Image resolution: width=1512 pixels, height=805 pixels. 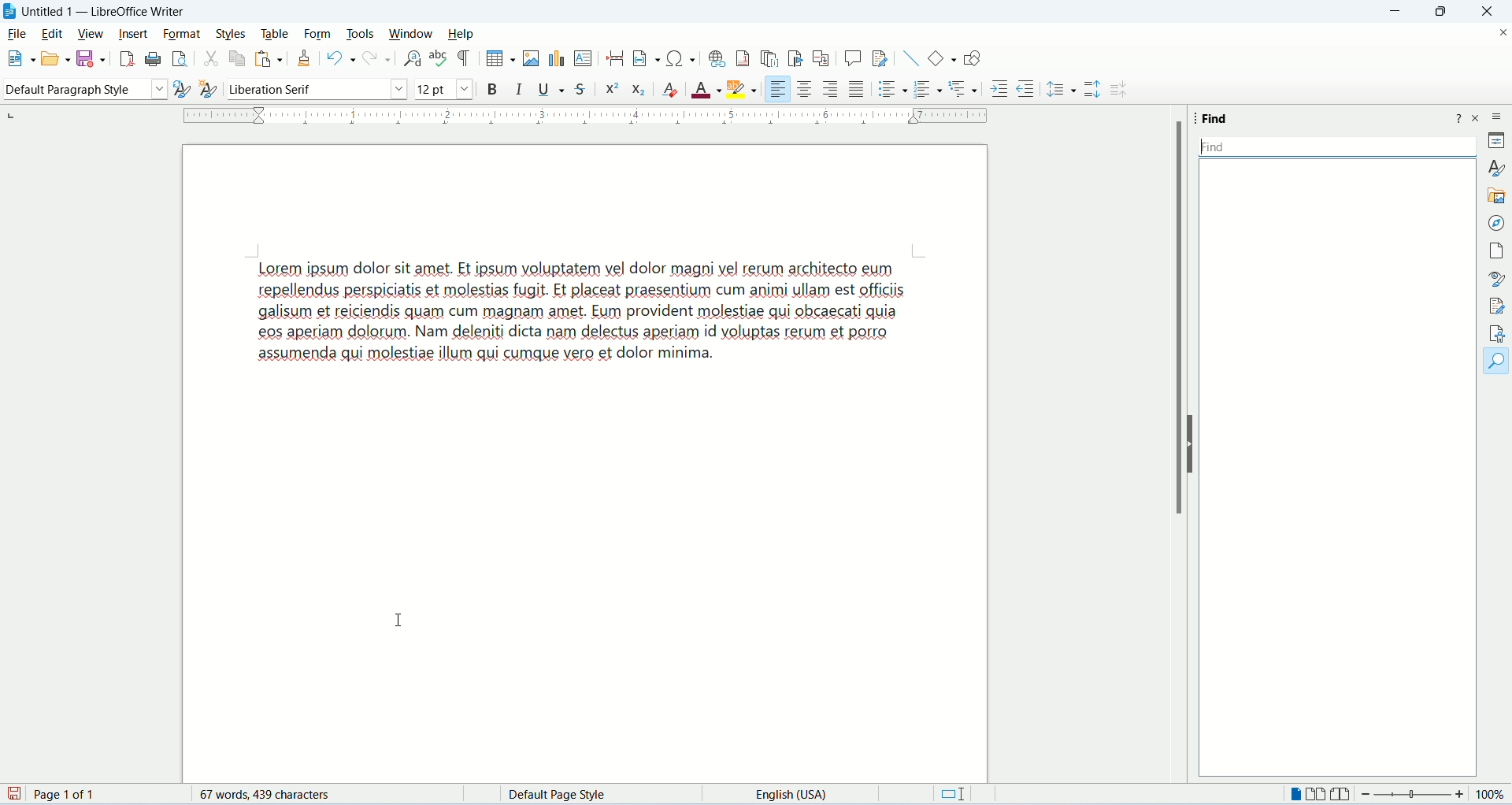 I want to click on subscript, so click(x=638, y=91).